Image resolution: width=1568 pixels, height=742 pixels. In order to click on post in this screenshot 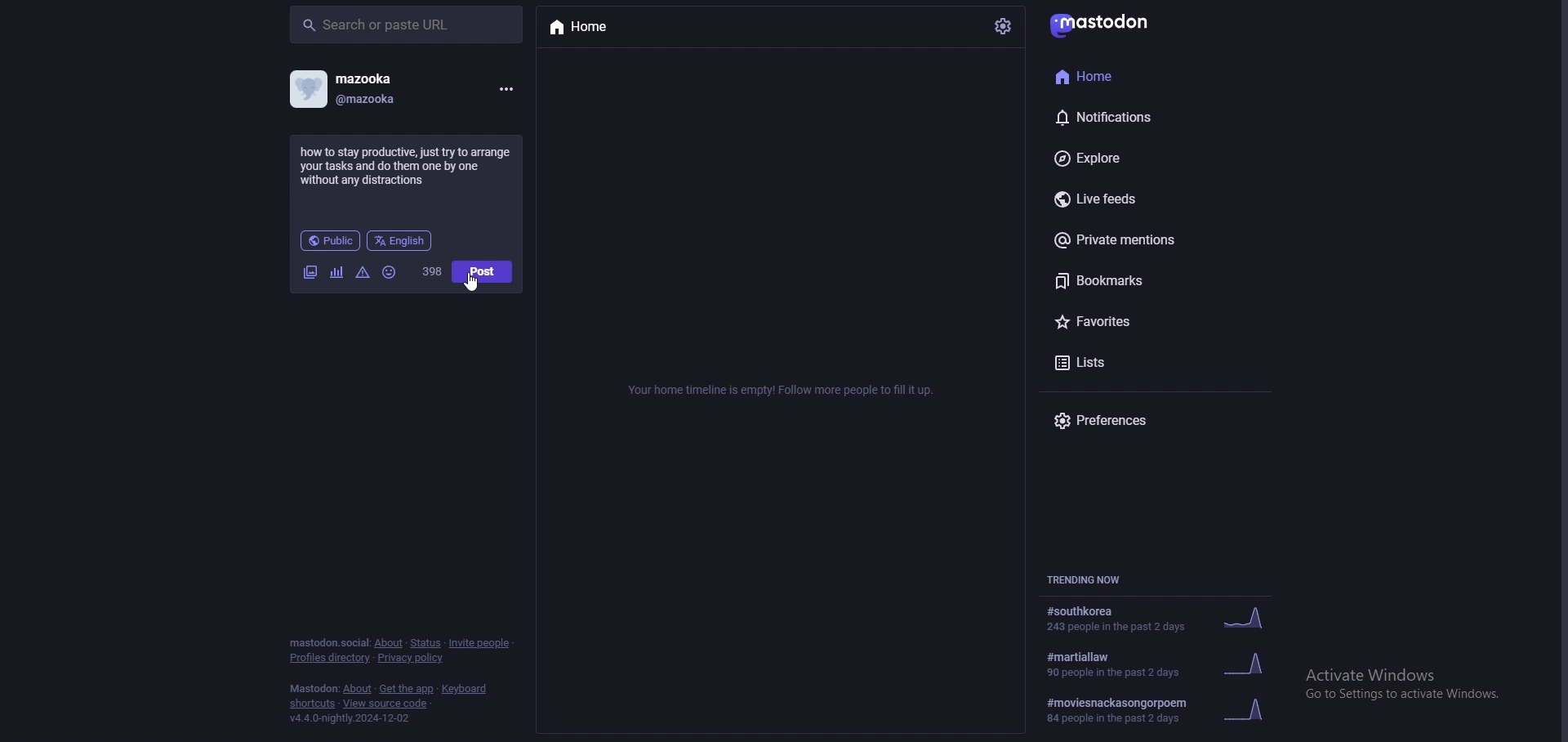, I will do `click(483, 271)`.